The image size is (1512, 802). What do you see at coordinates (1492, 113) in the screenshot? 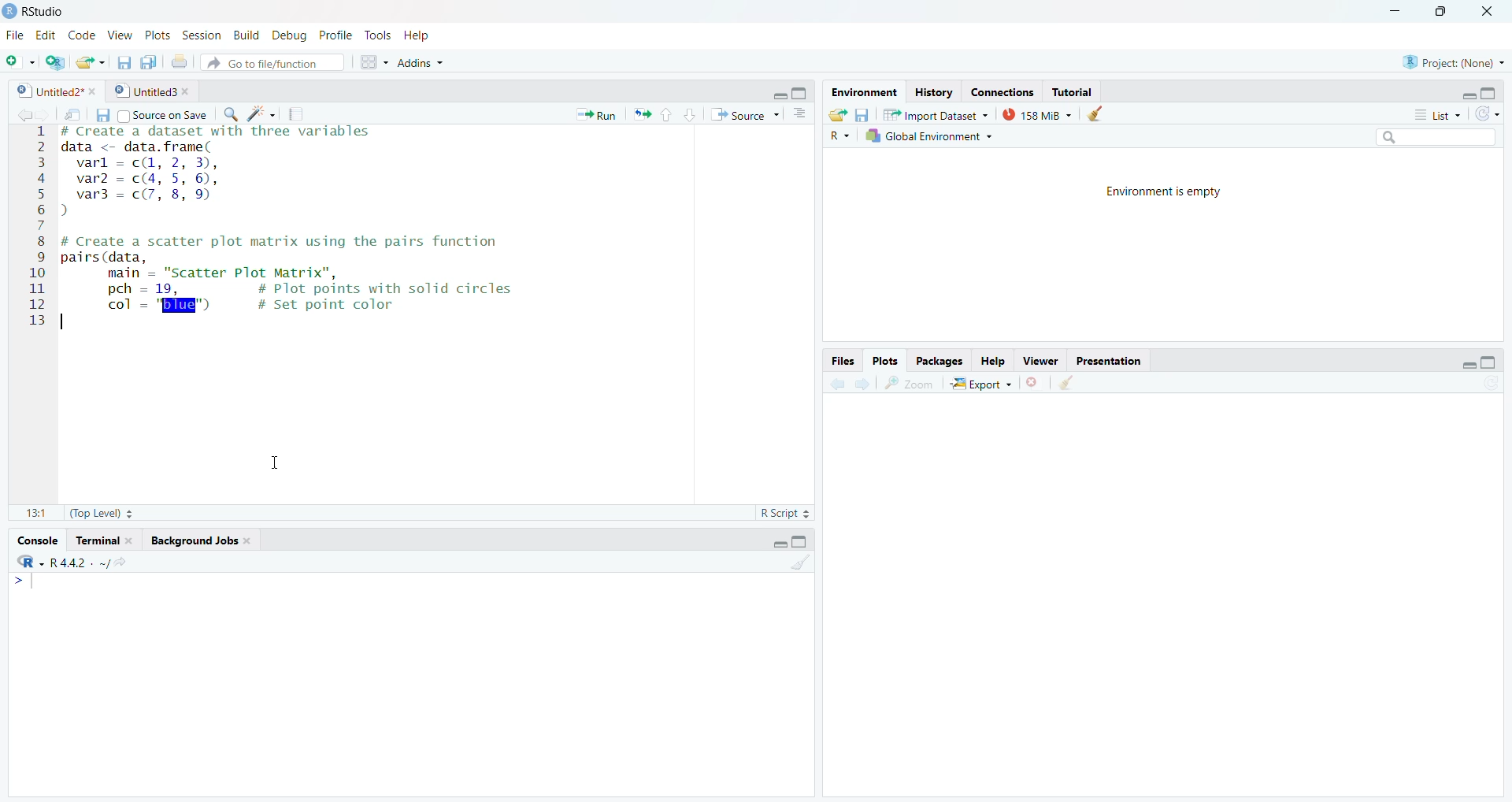
I see `Refresh` at bounding box center [1492, 113].